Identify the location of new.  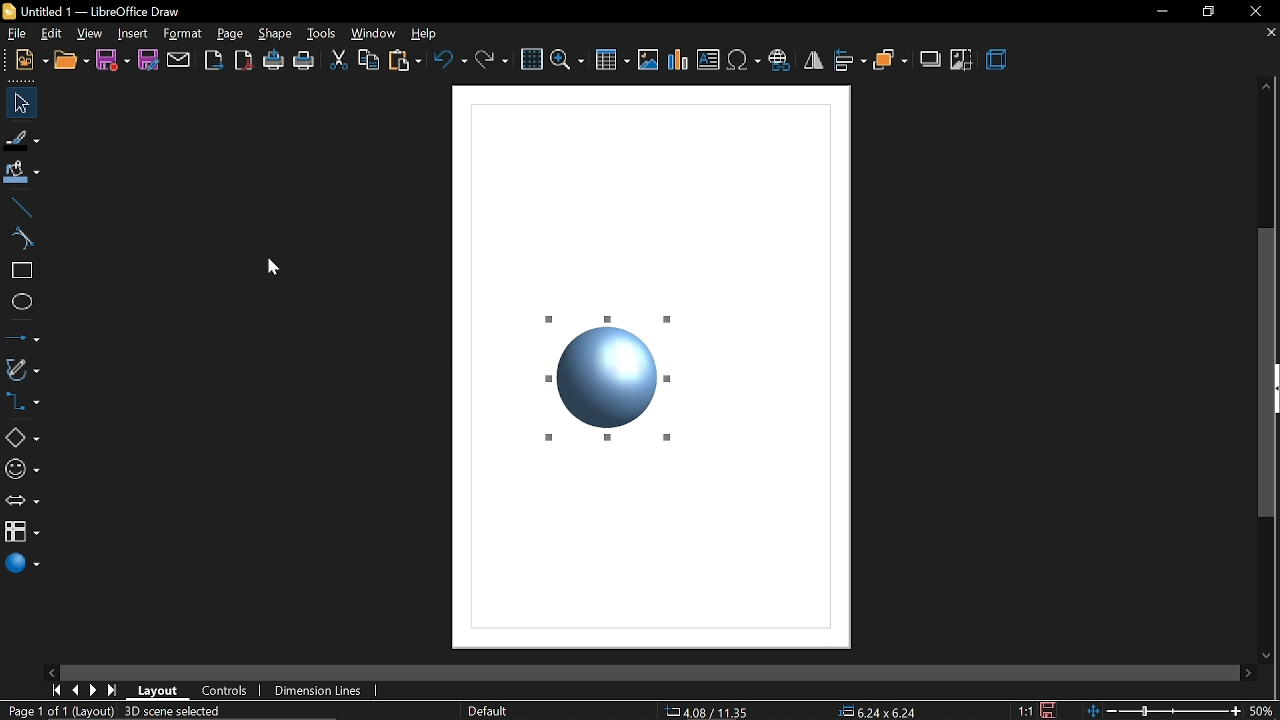
(30, 60).